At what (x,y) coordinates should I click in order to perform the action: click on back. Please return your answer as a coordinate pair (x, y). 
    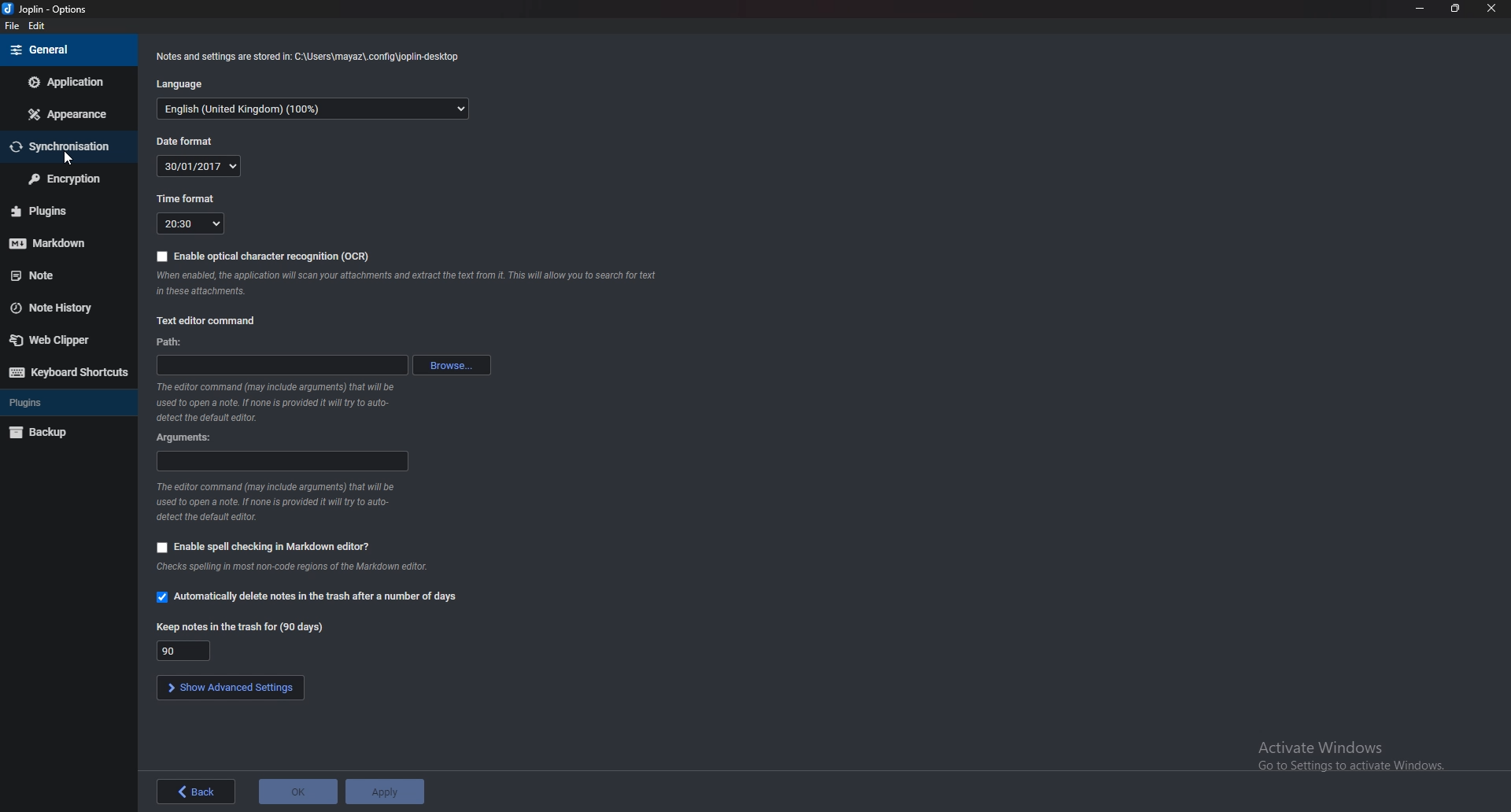
    Looking at the image, I should click on (195, 792).